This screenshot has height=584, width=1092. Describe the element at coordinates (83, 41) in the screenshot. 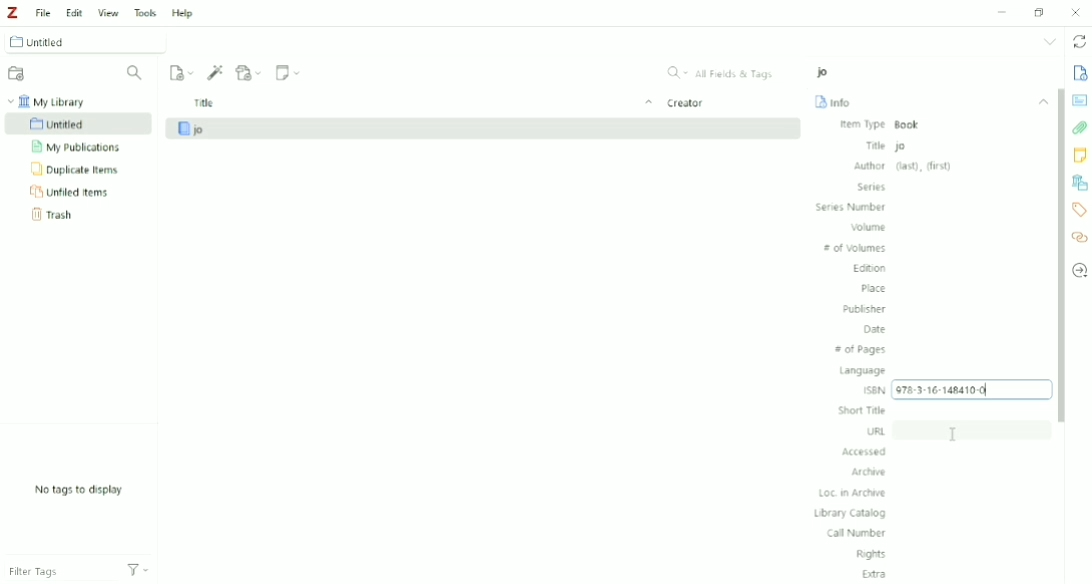

I see `Untitled` at that location.